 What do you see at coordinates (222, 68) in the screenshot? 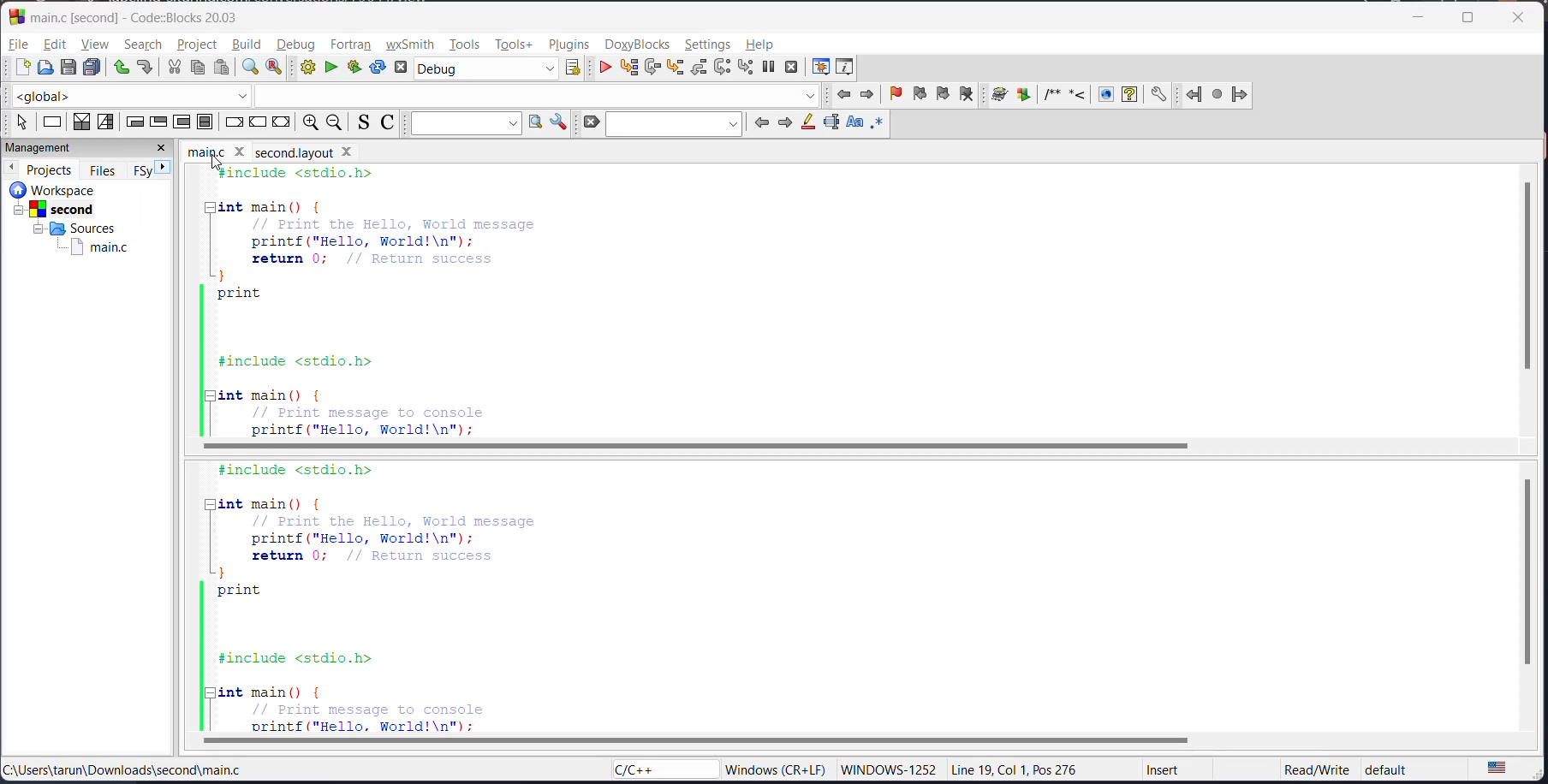
I see `paste` at bounding box center [222, 68].